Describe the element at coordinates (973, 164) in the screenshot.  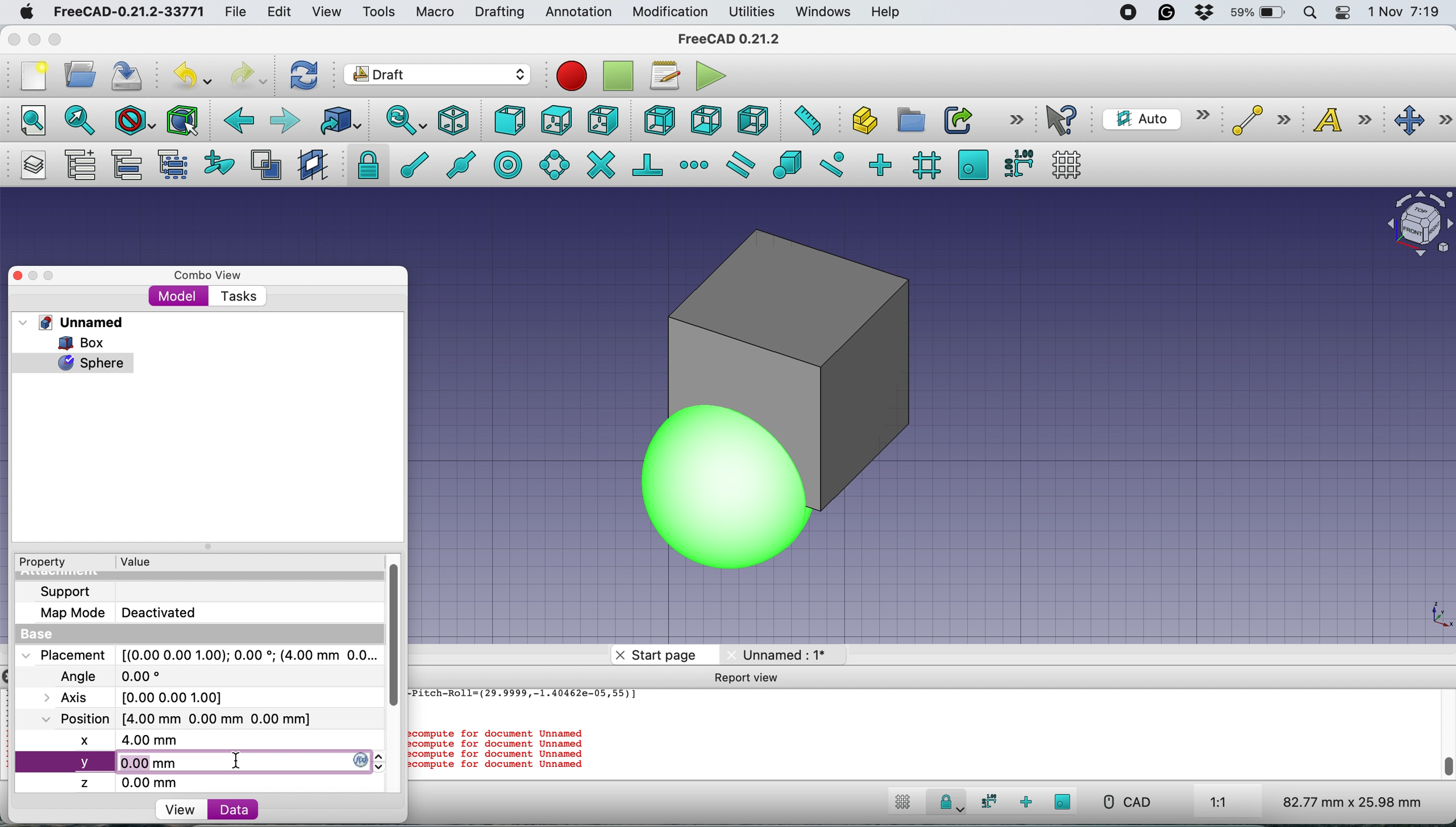
I see `snap working plane` at that location.